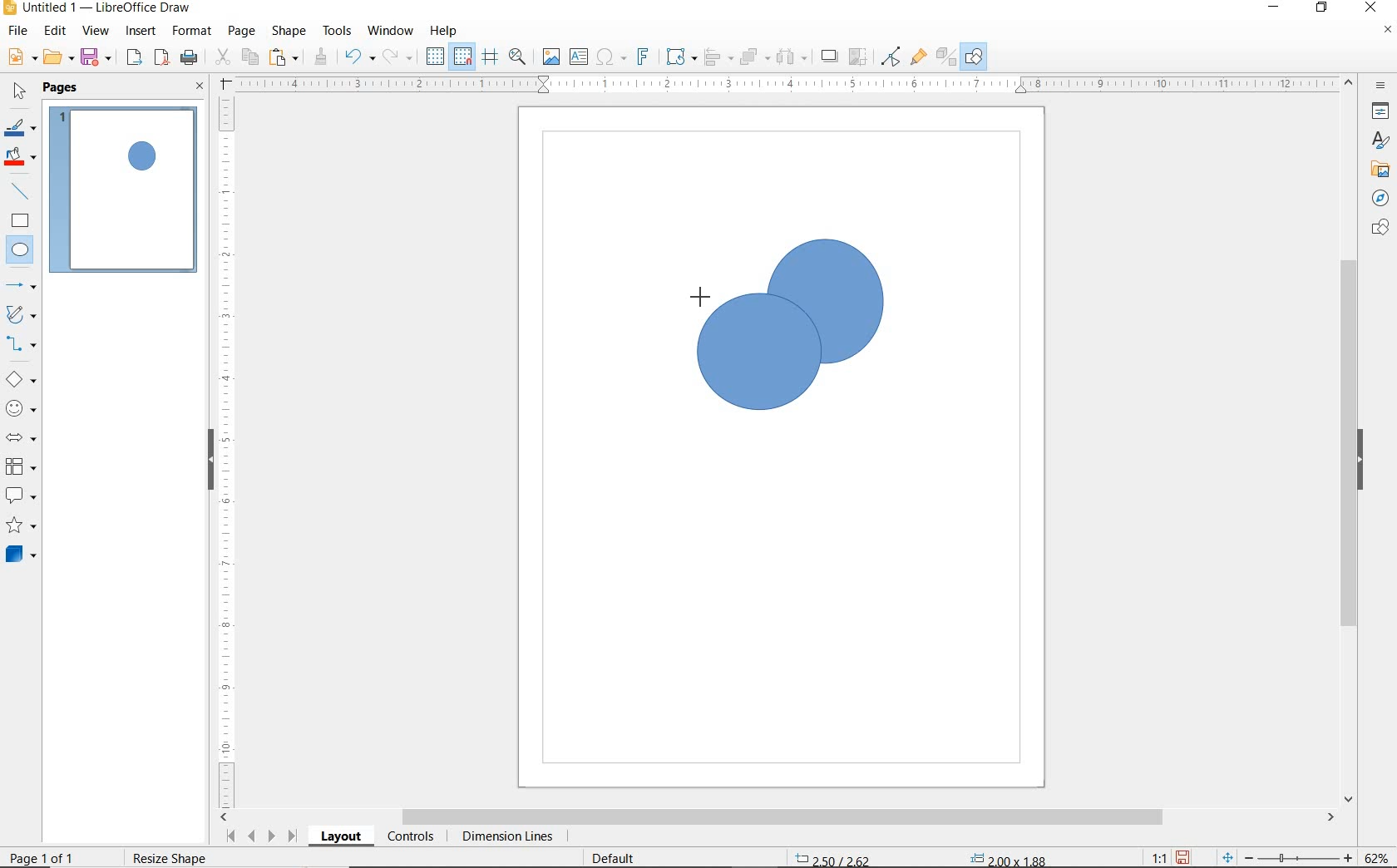  Describe the element at coordinates (462, 57) in the screenshot. I see `SNAP TO GRID` at that location.